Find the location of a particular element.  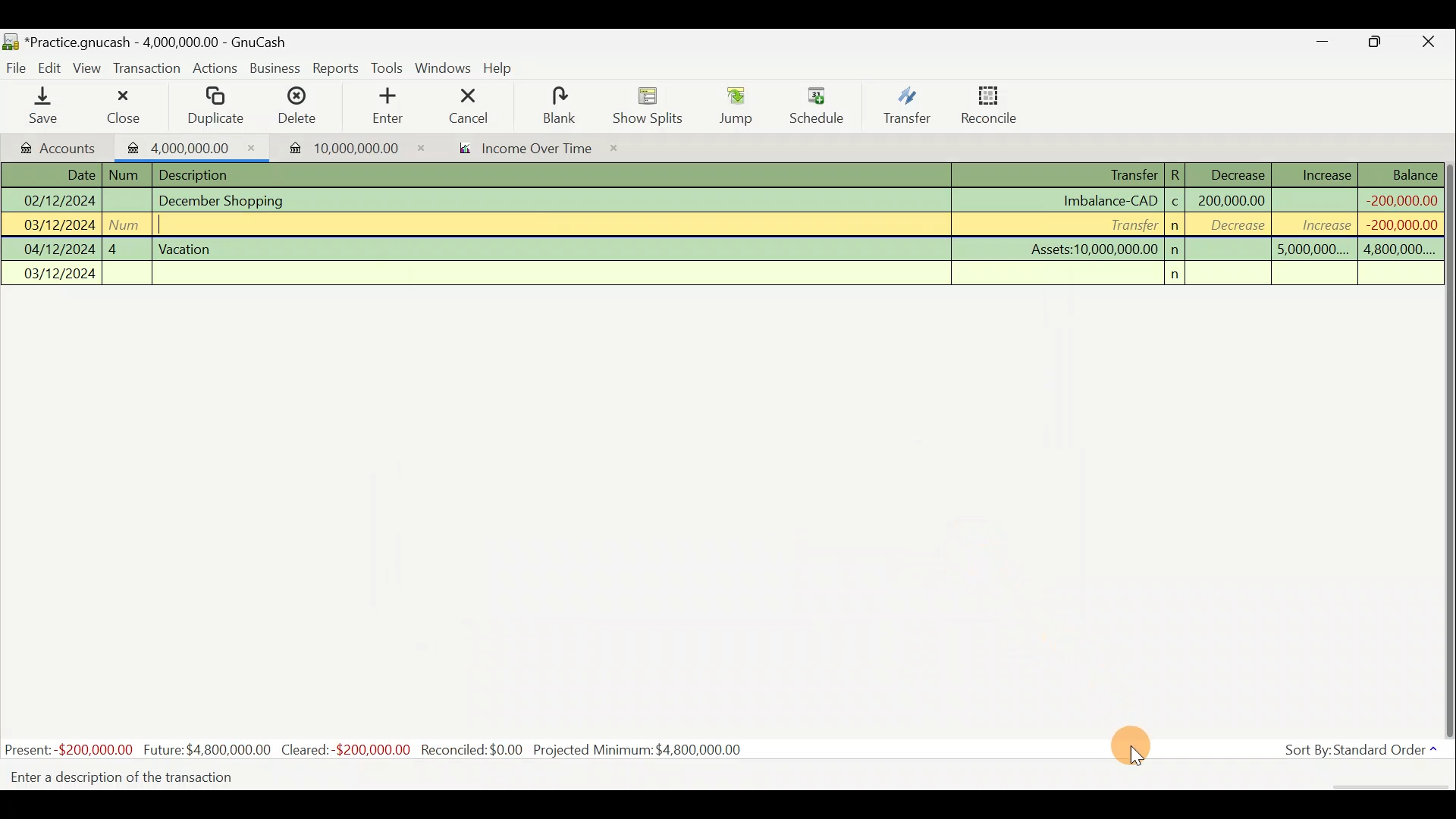

03/12/2024 is located at coordinates (61, 275).